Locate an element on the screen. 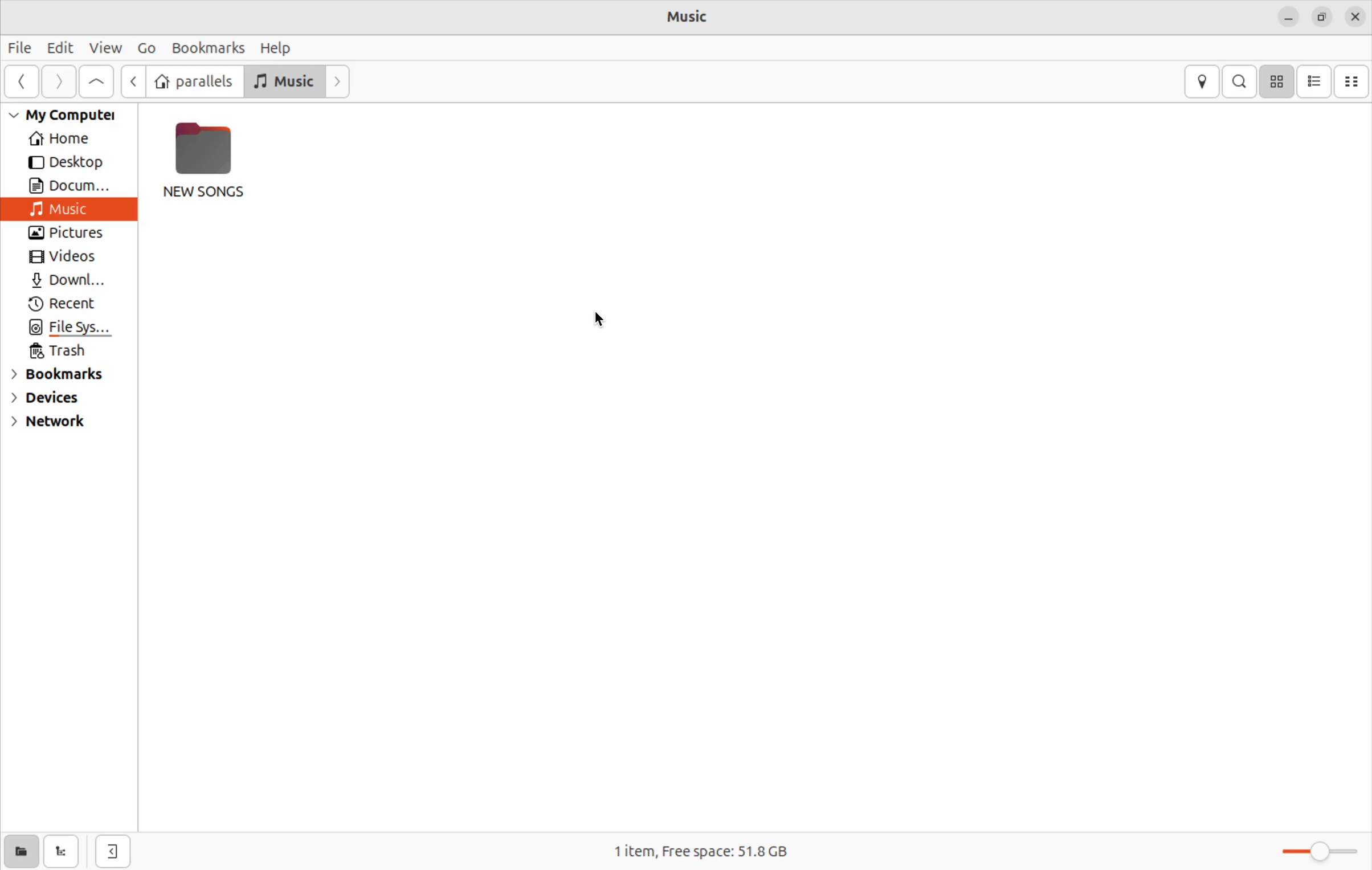 This screenshot has width=1372, height=870. location is located at coordinates (1203, 80).